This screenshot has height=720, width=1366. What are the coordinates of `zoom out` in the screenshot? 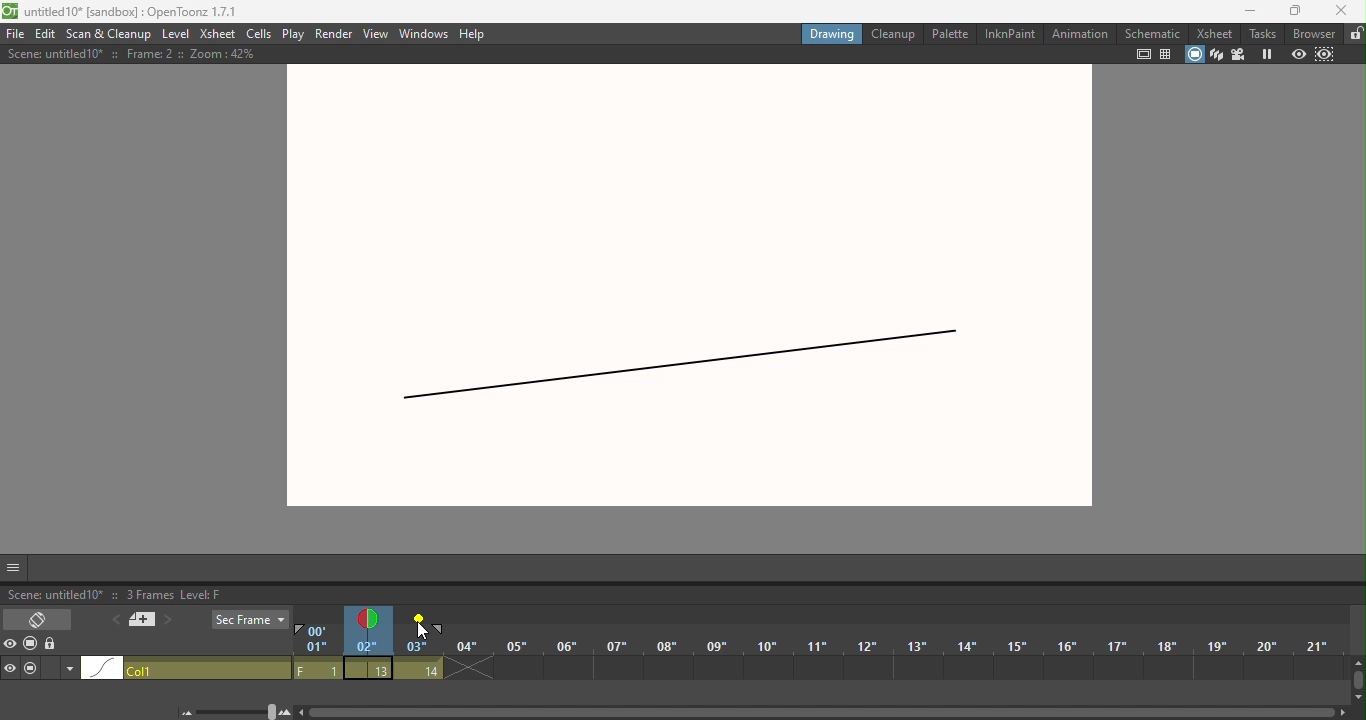 It's located at (186, 714).